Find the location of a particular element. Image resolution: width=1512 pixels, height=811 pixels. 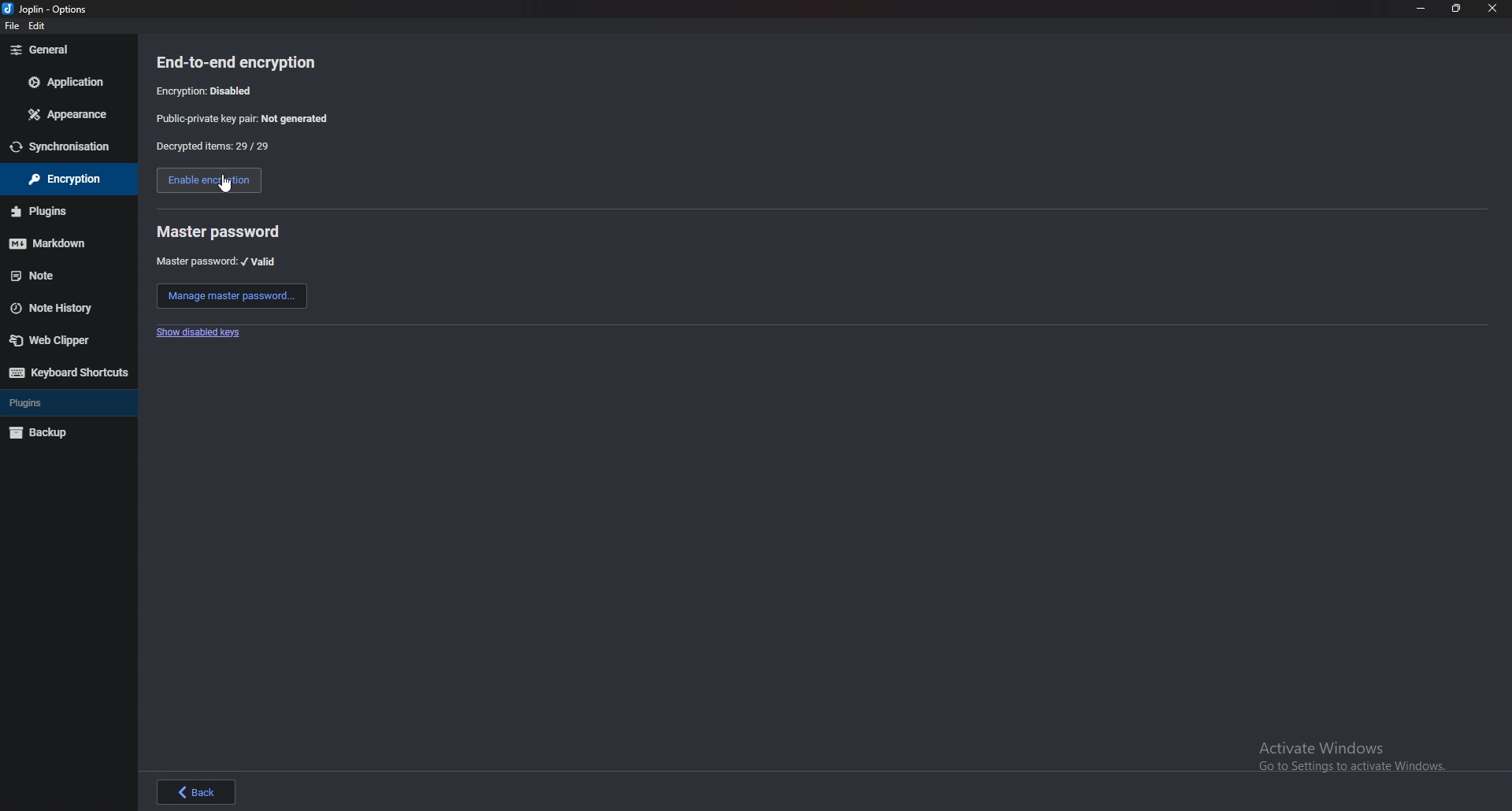

master password valid is located at coordinates (218, 261).